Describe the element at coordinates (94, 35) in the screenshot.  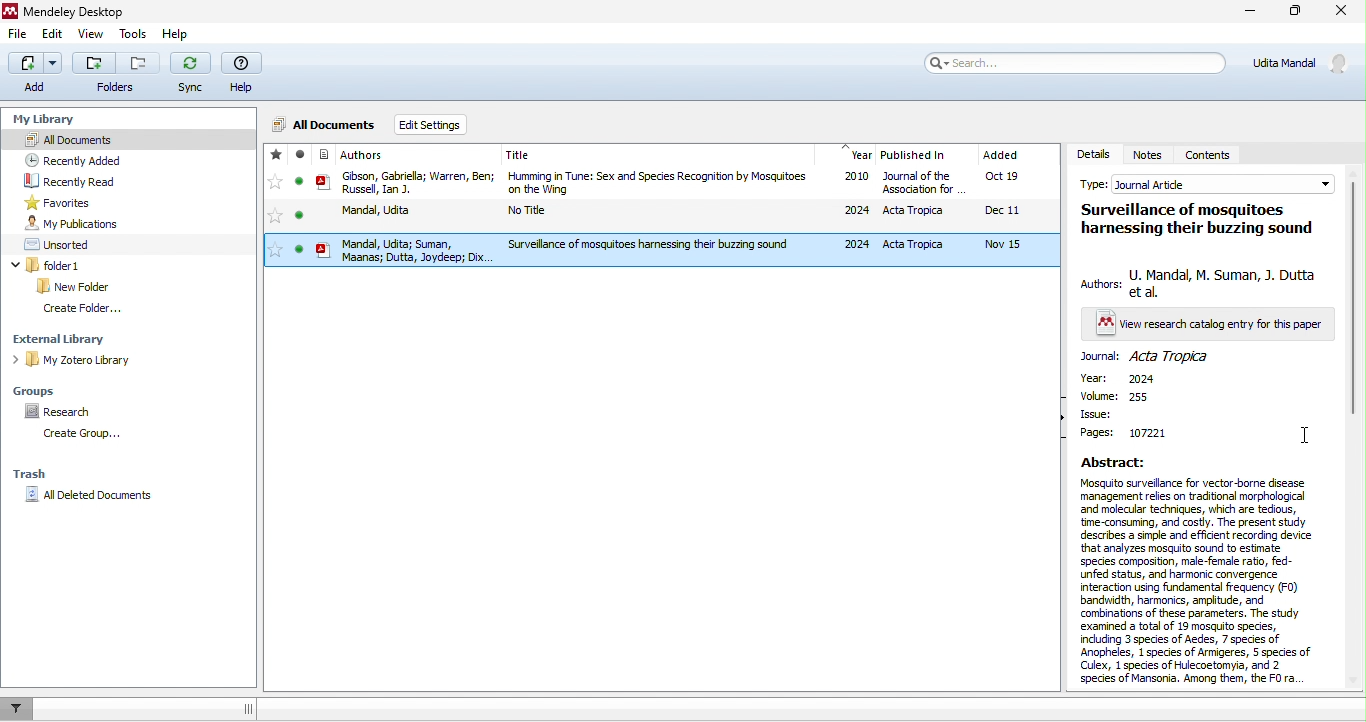
I see `view` at that location.